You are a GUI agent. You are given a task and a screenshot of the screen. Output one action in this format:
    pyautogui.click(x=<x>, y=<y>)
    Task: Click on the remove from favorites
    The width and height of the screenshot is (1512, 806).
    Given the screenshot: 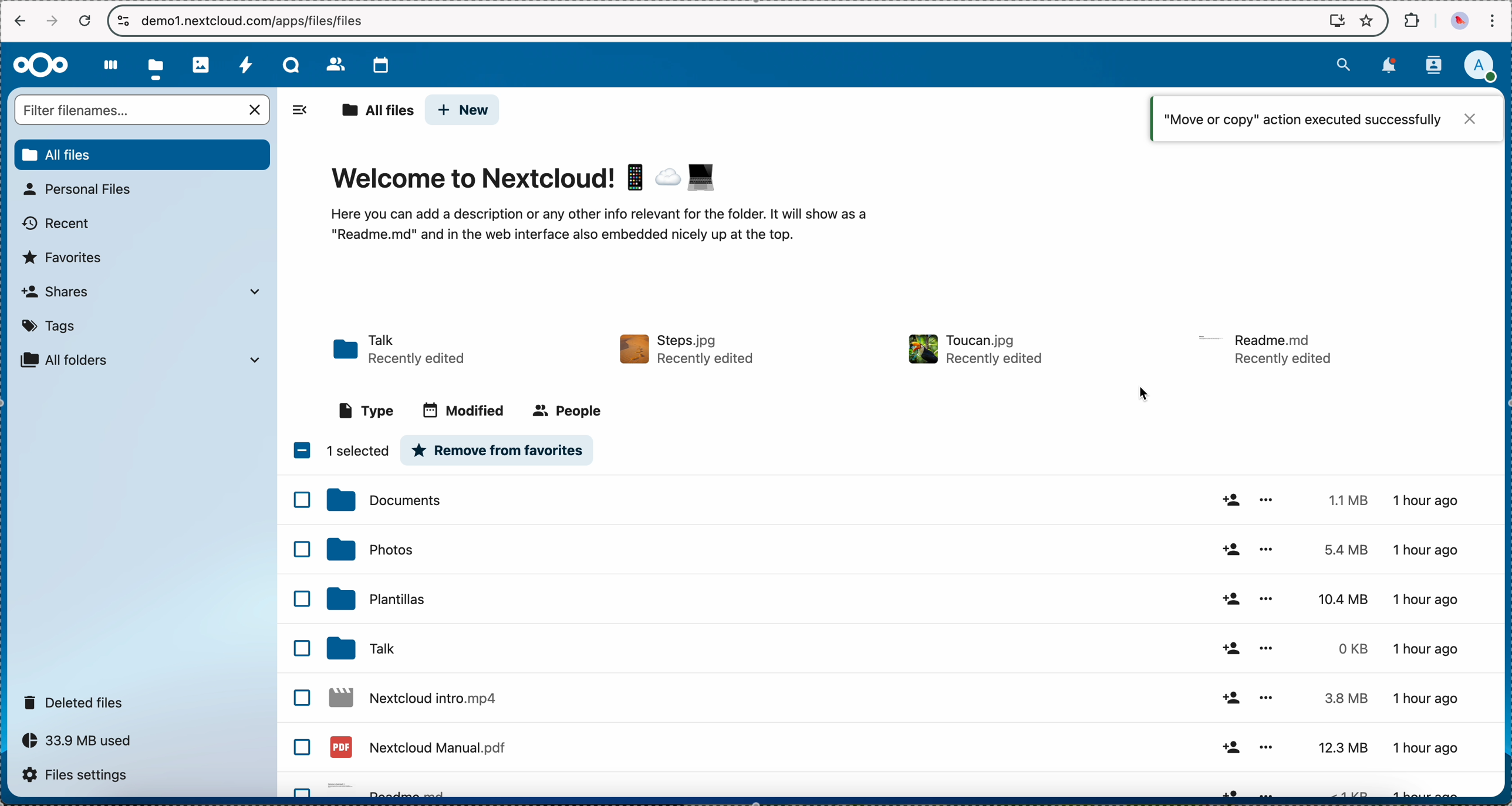 What is the action you would take?
    pyautogui.click(x=499, y=450)
    